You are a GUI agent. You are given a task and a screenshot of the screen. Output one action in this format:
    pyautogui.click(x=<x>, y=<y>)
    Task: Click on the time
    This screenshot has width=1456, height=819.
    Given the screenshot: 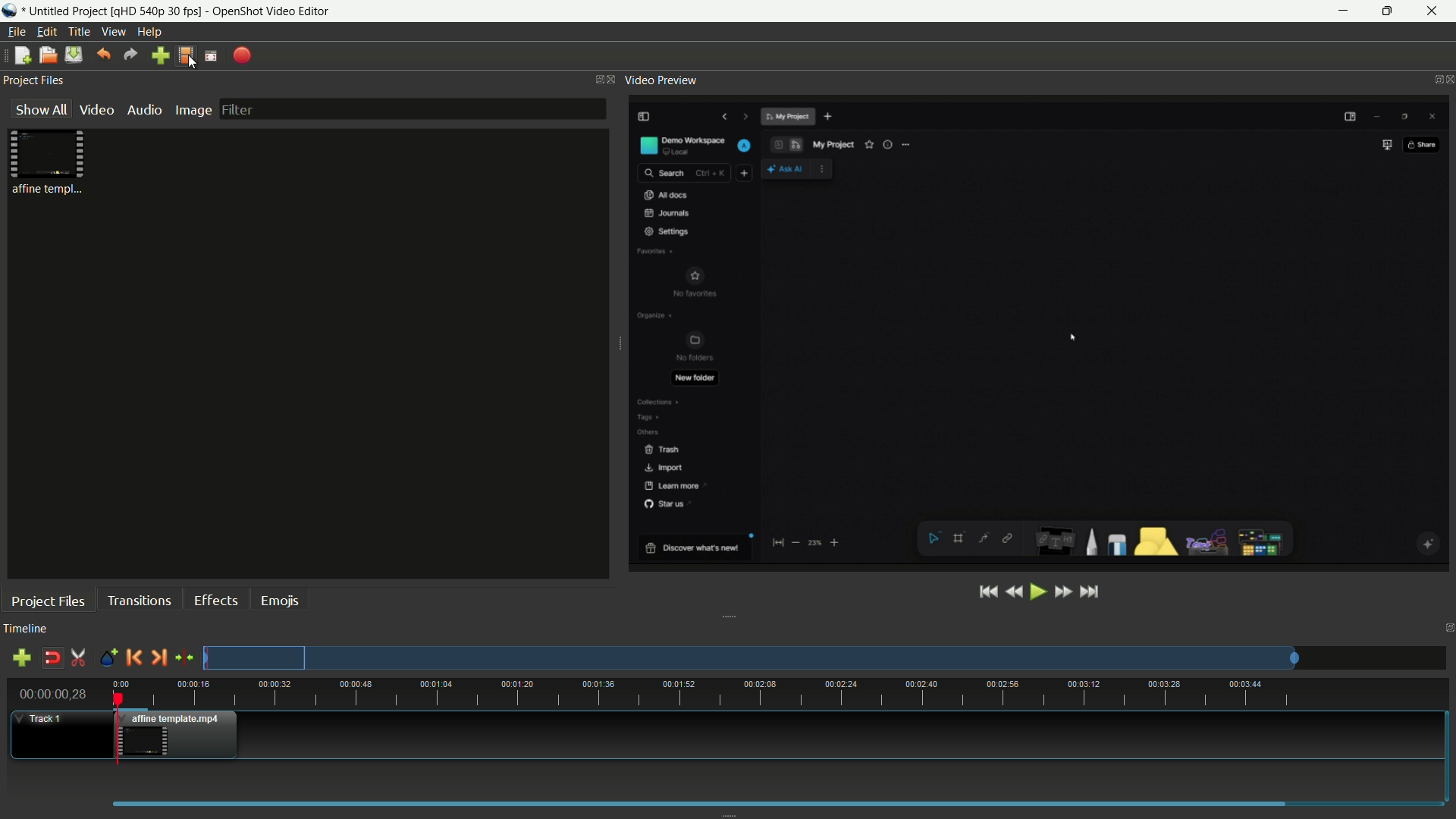 What is the action you would take?
    pyautogui.click(x=784, y=693)
    